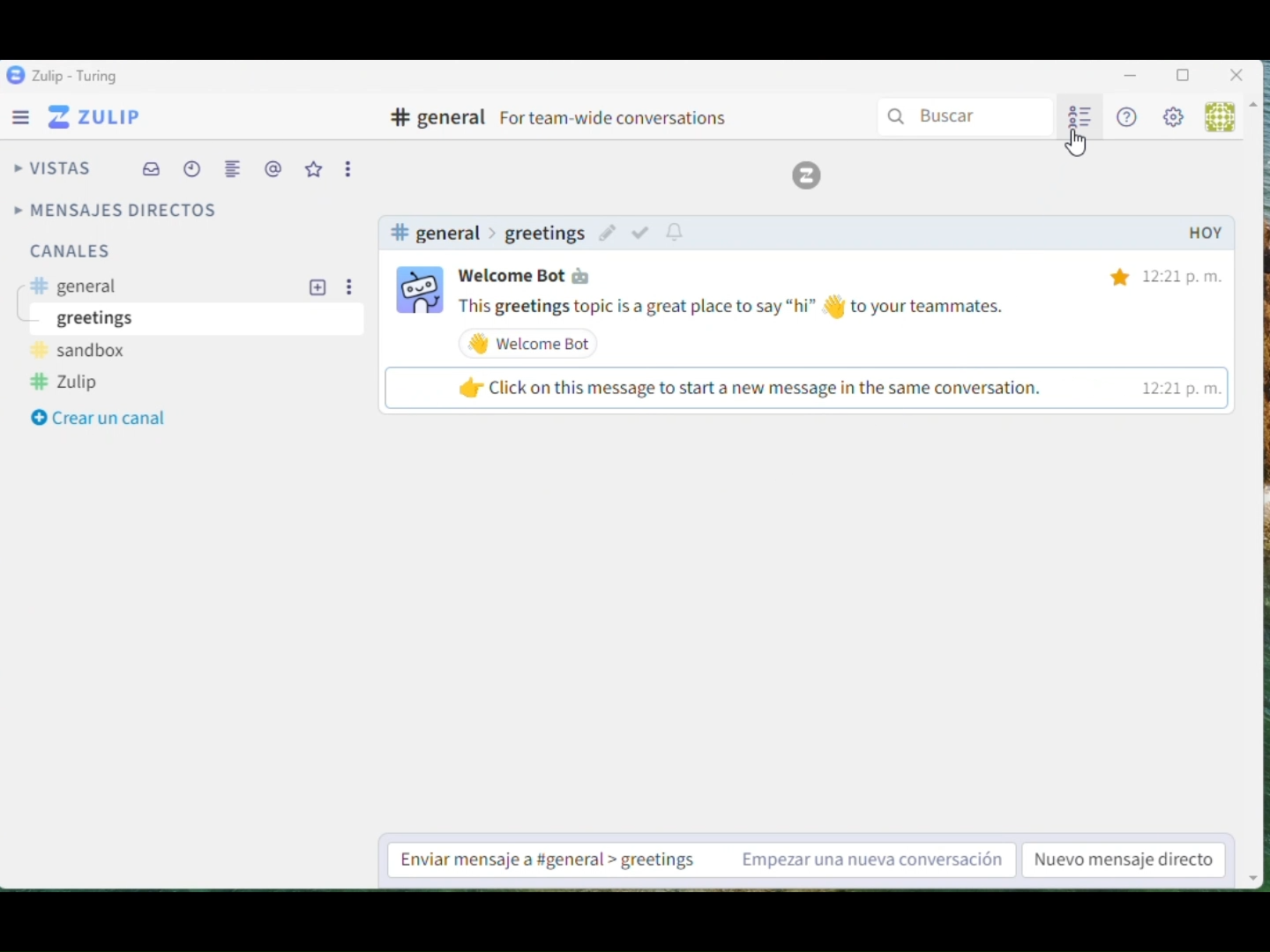  What do you see at coordinates (82, 289) in the screenshot?
I see `general` at bounding box center [82, 289].